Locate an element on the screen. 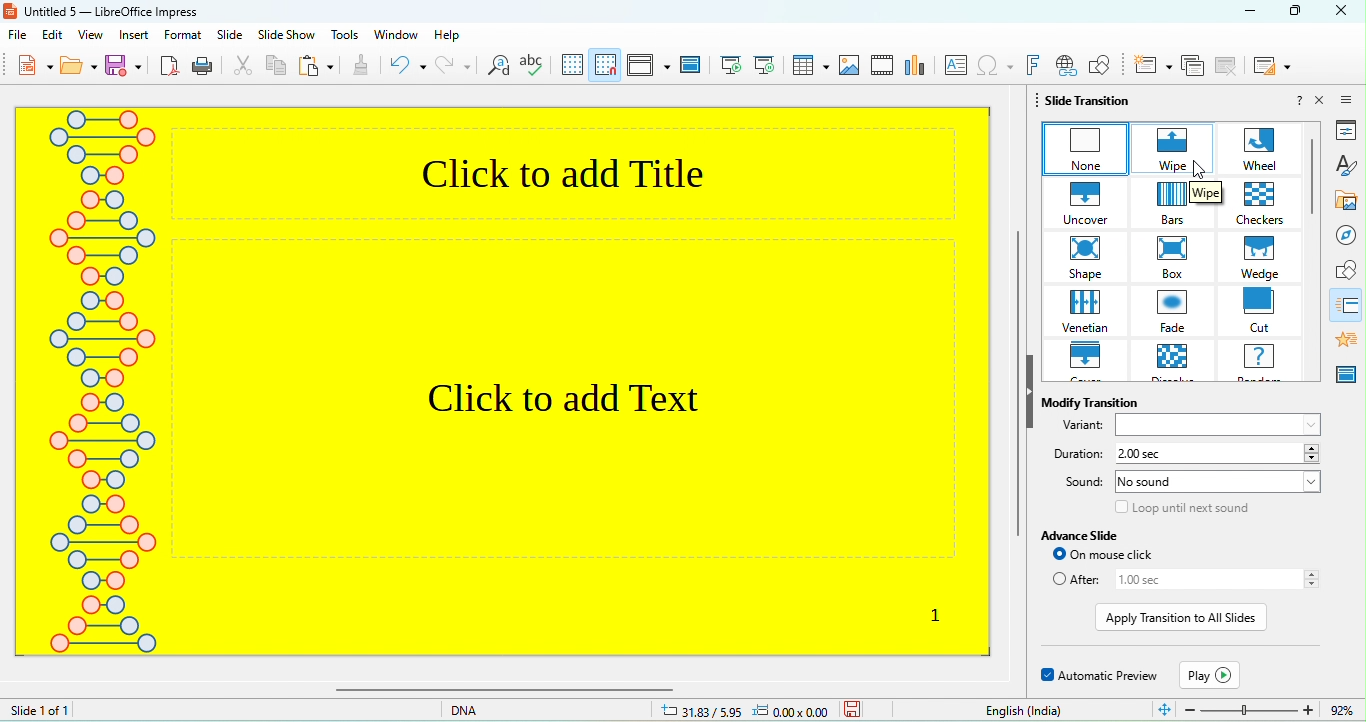  minimize is located at coordinates (1245, 13).